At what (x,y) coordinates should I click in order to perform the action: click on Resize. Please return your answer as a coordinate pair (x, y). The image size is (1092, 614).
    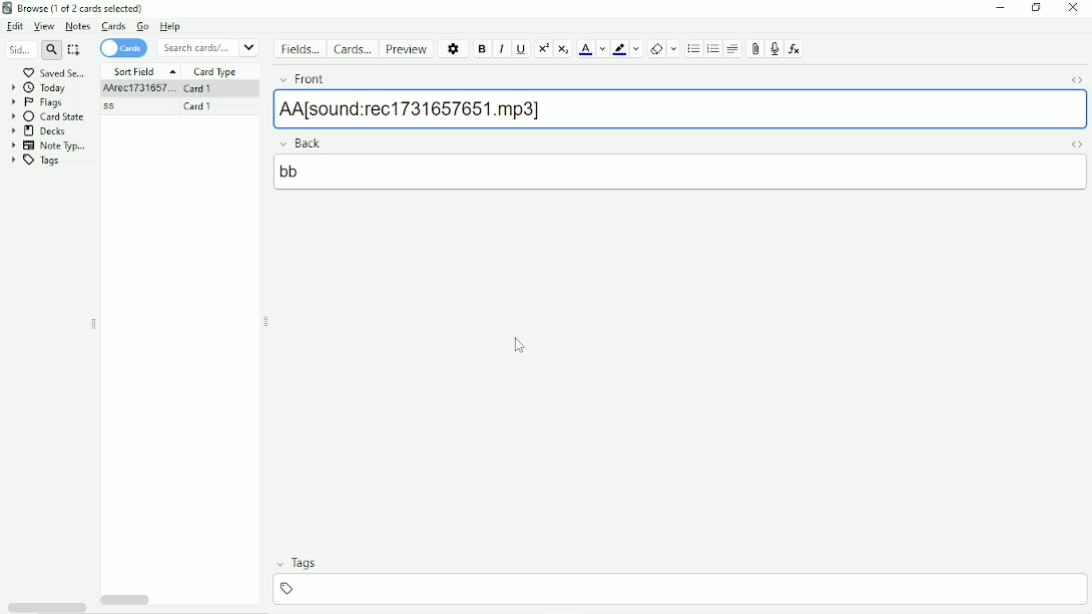
    Looking at the image, I should click on (267, 322).